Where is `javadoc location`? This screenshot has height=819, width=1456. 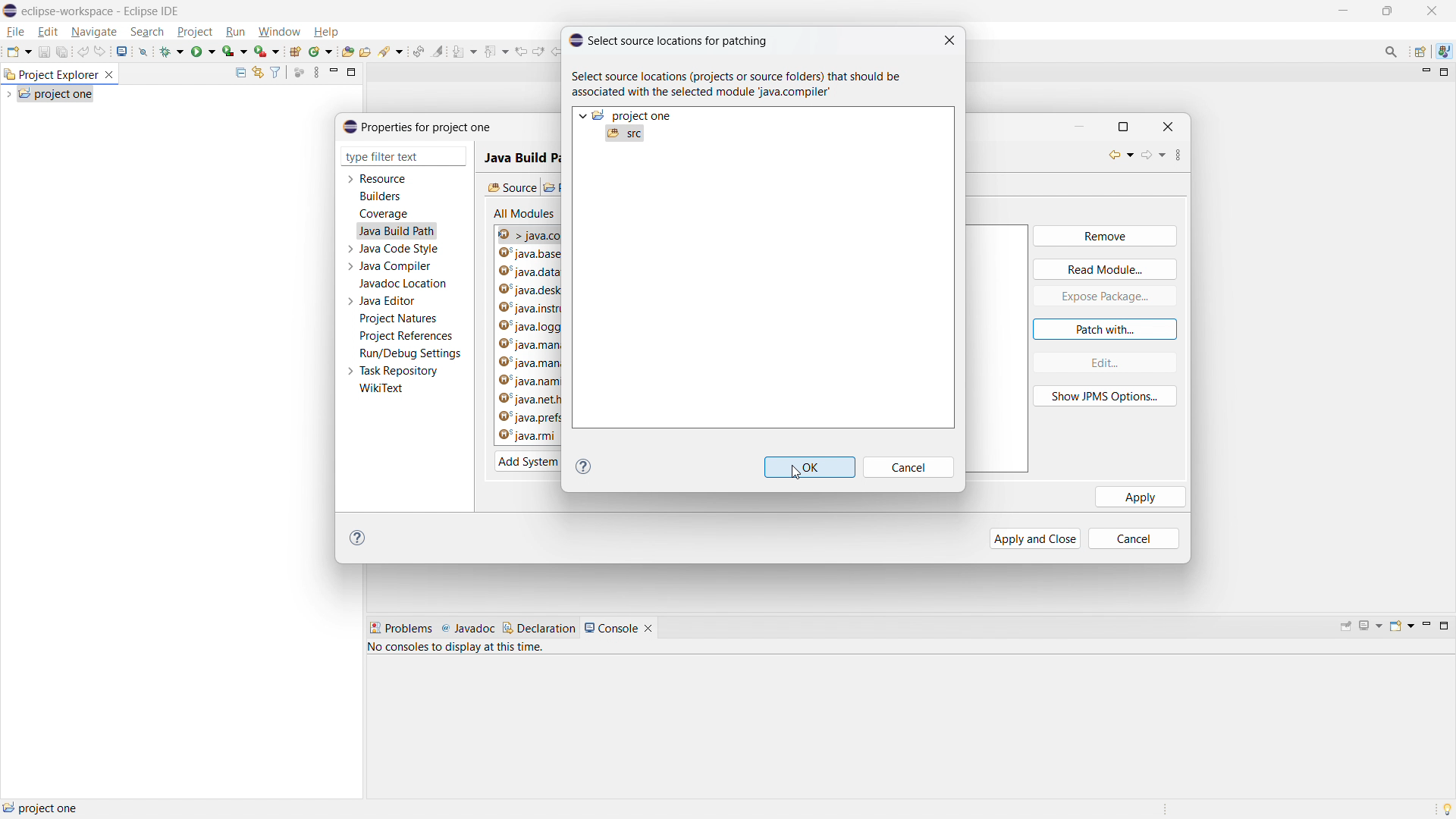 javadoc location is located at coordinates (404, 284).